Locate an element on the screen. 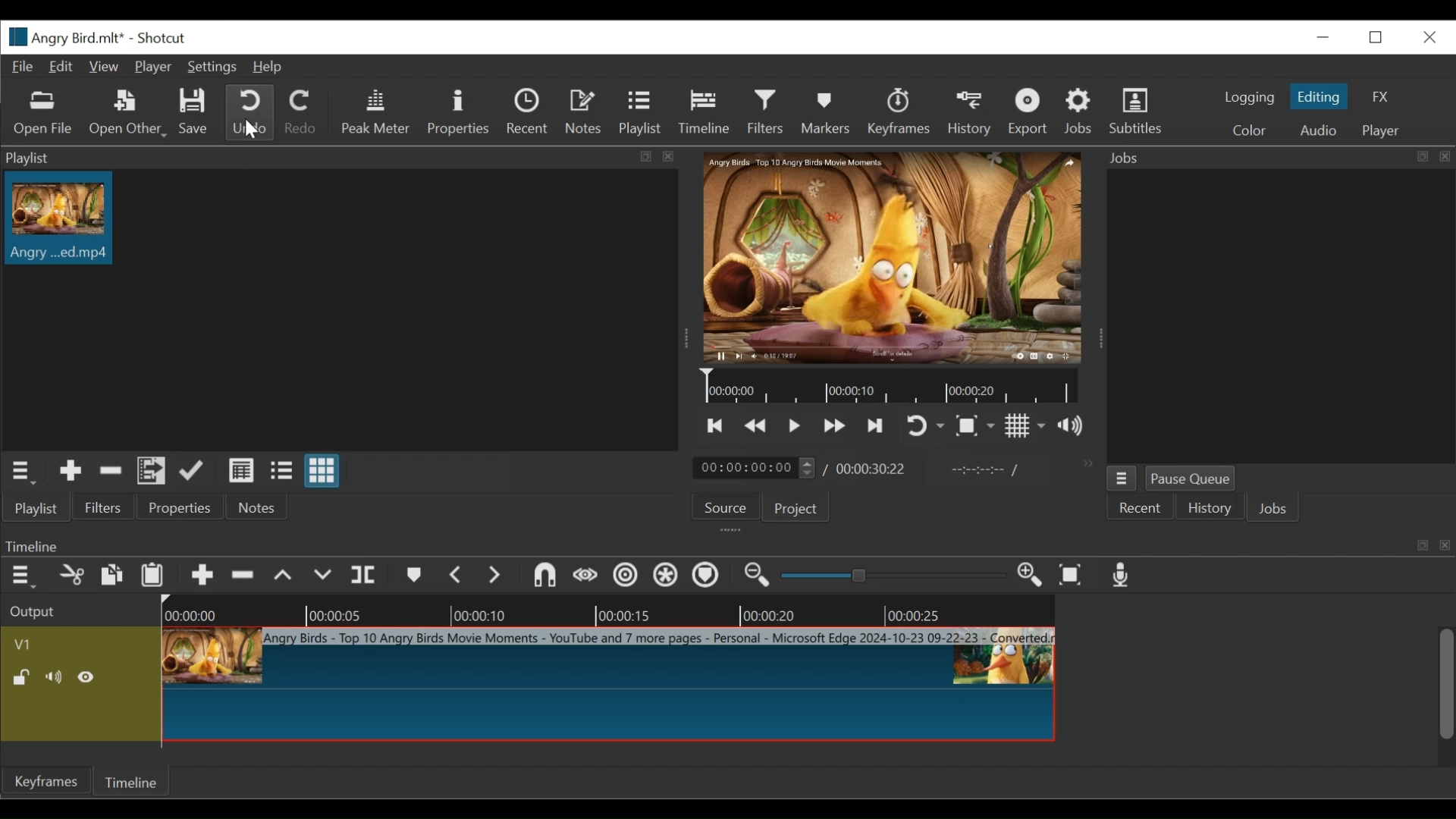 The height and width of the screenshot is (819, 1456). Recent is located at coordinates (1141, 507).